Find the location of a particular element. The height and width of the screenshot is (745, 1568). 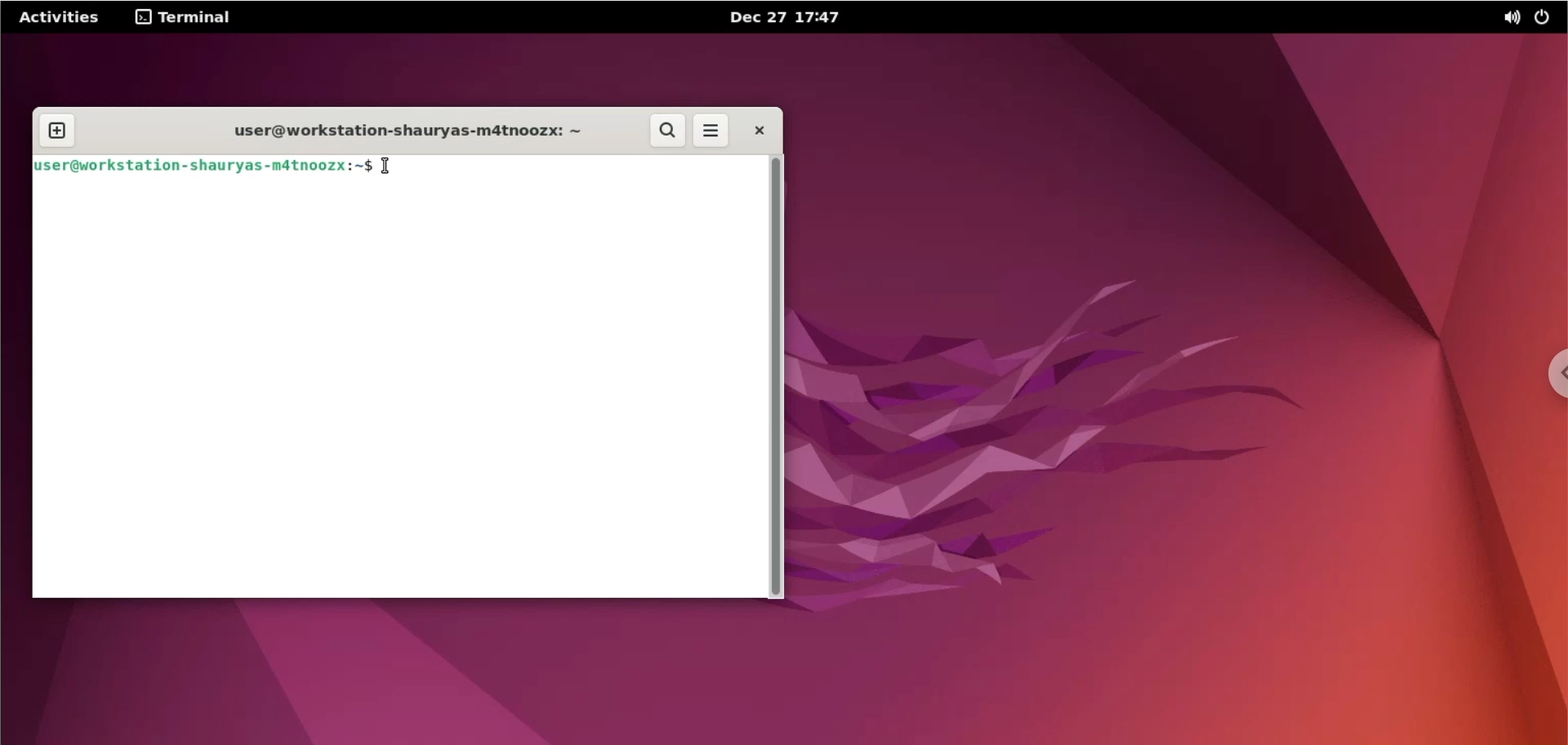

user@workstation-shauryas-m4tnoozx:~ is located at coordinates (400, 127).